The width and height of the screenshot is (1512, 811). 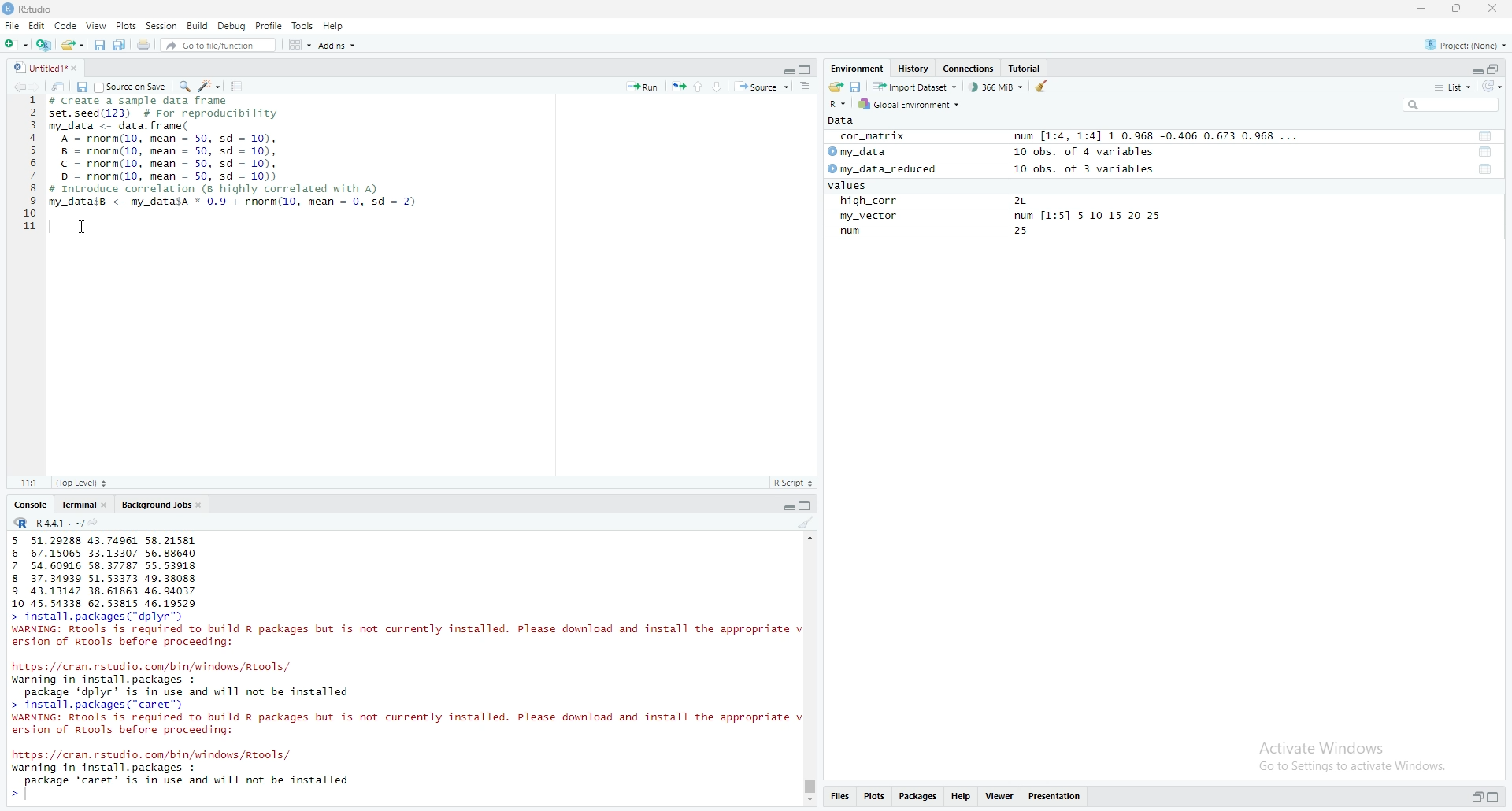 I want to click on run, so click(x=679, y=87).